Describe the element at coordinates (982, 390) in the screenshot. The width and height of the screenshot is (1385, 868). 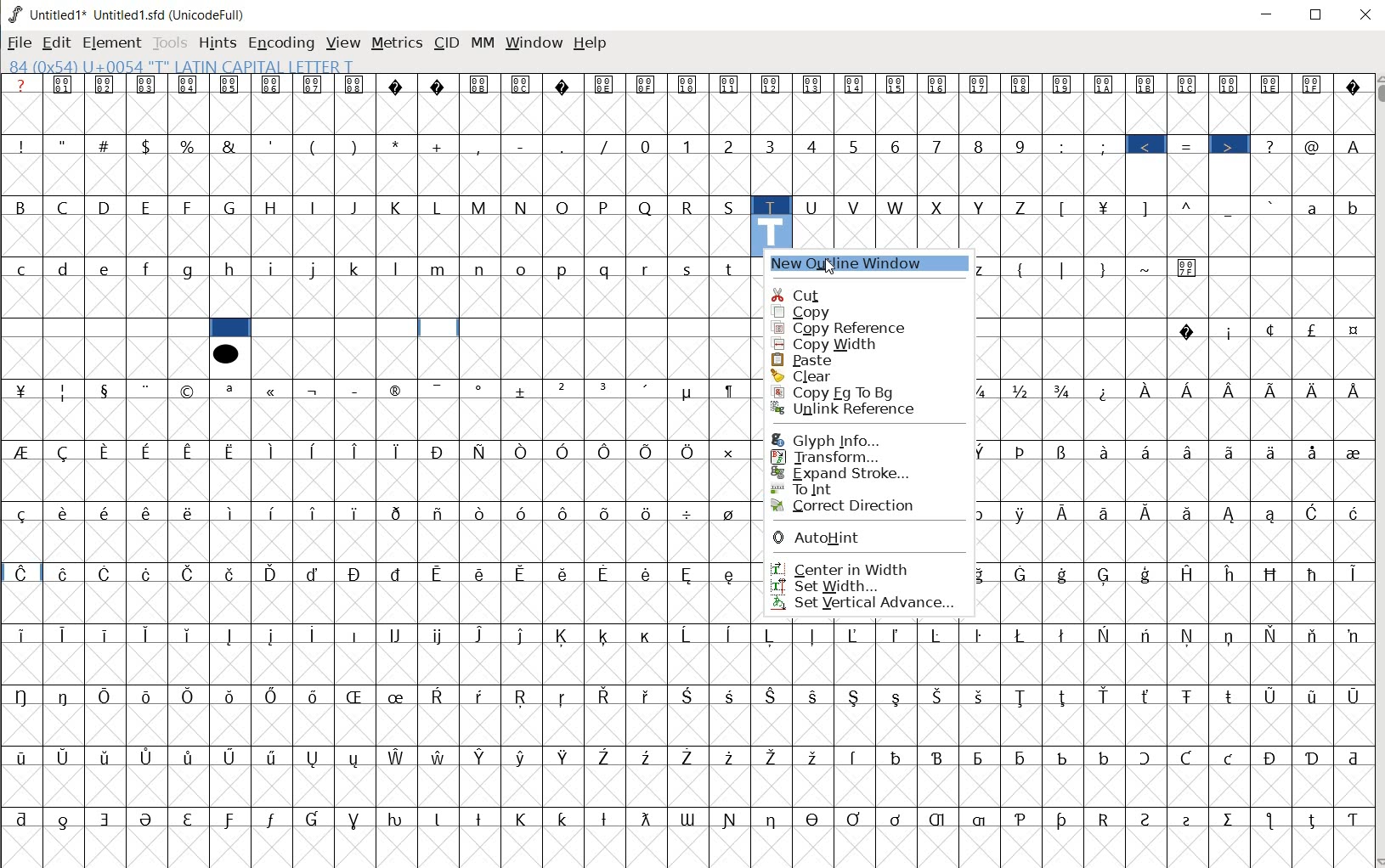
I see `Symbol` at that location.